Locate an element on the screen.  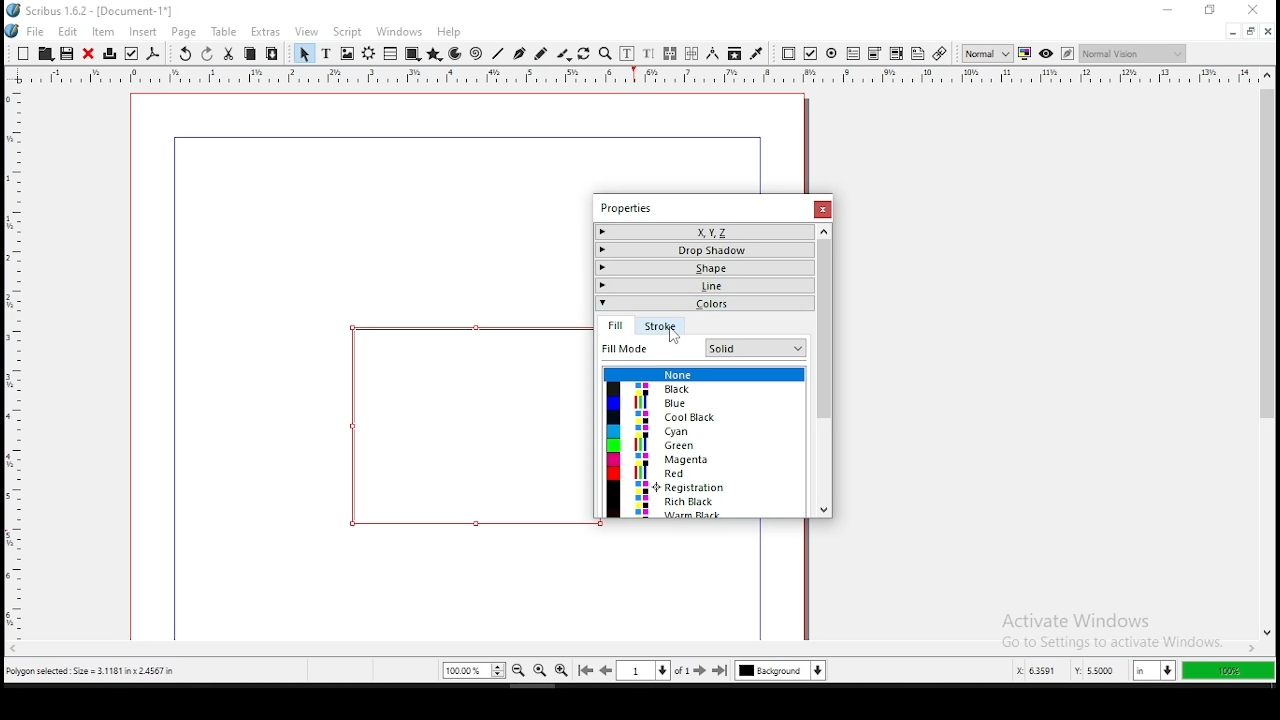
red is located at coordinates (705, 472).